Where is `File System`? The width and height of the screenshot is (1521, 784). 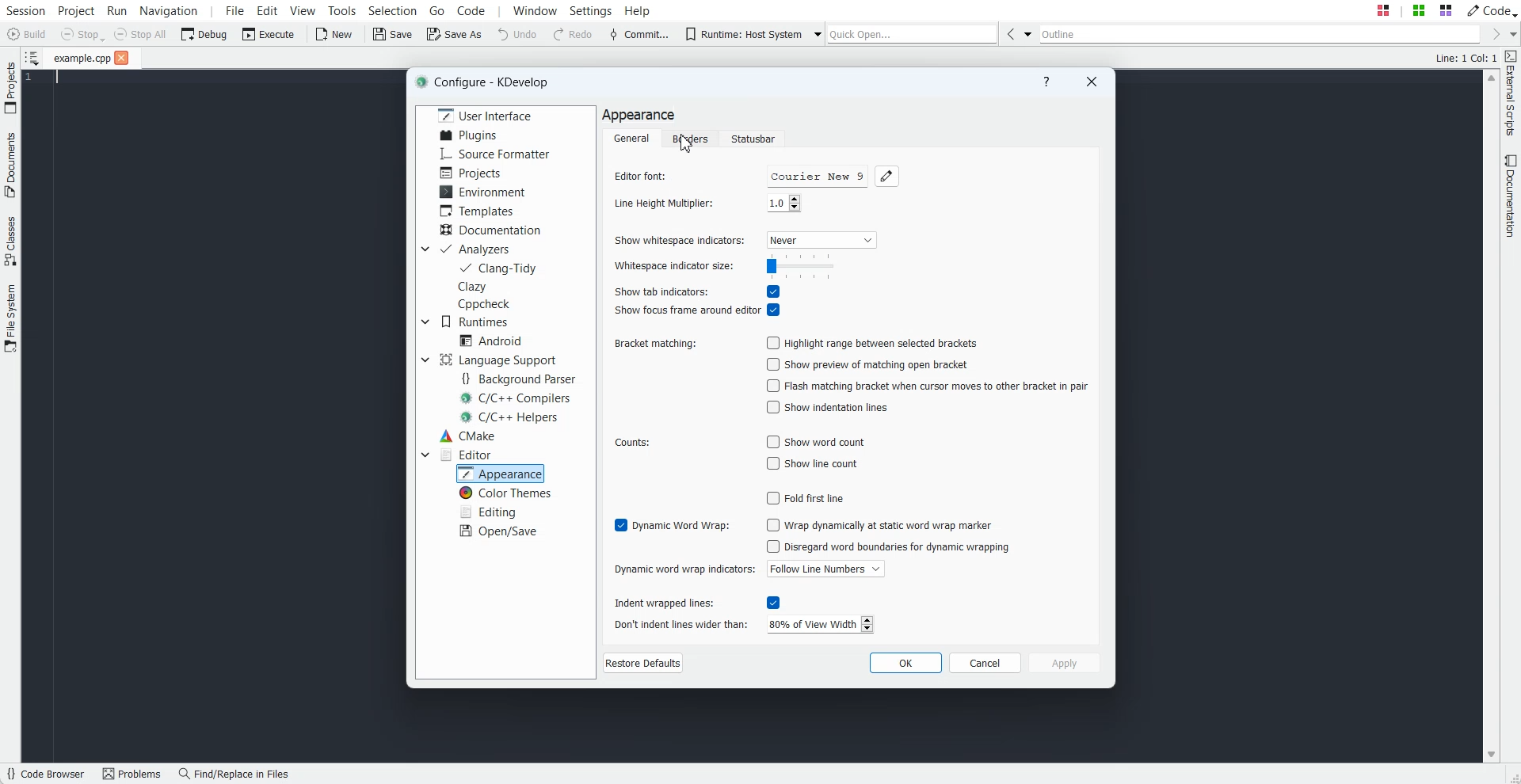 File System is located at coordinates (10, 319).